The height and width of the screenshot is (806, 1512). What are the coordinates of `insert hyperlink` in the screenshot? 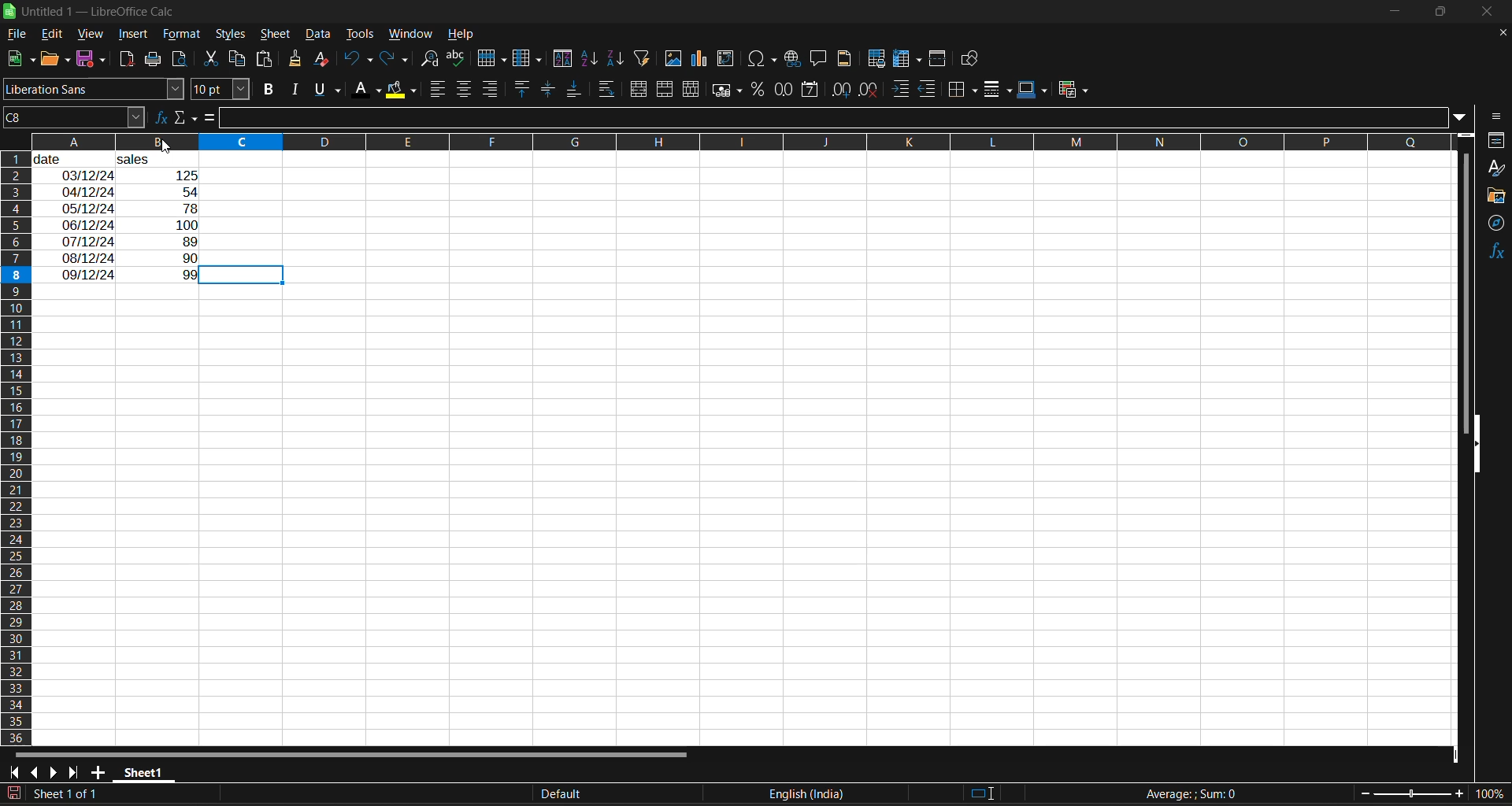 It's located at (794, 60).